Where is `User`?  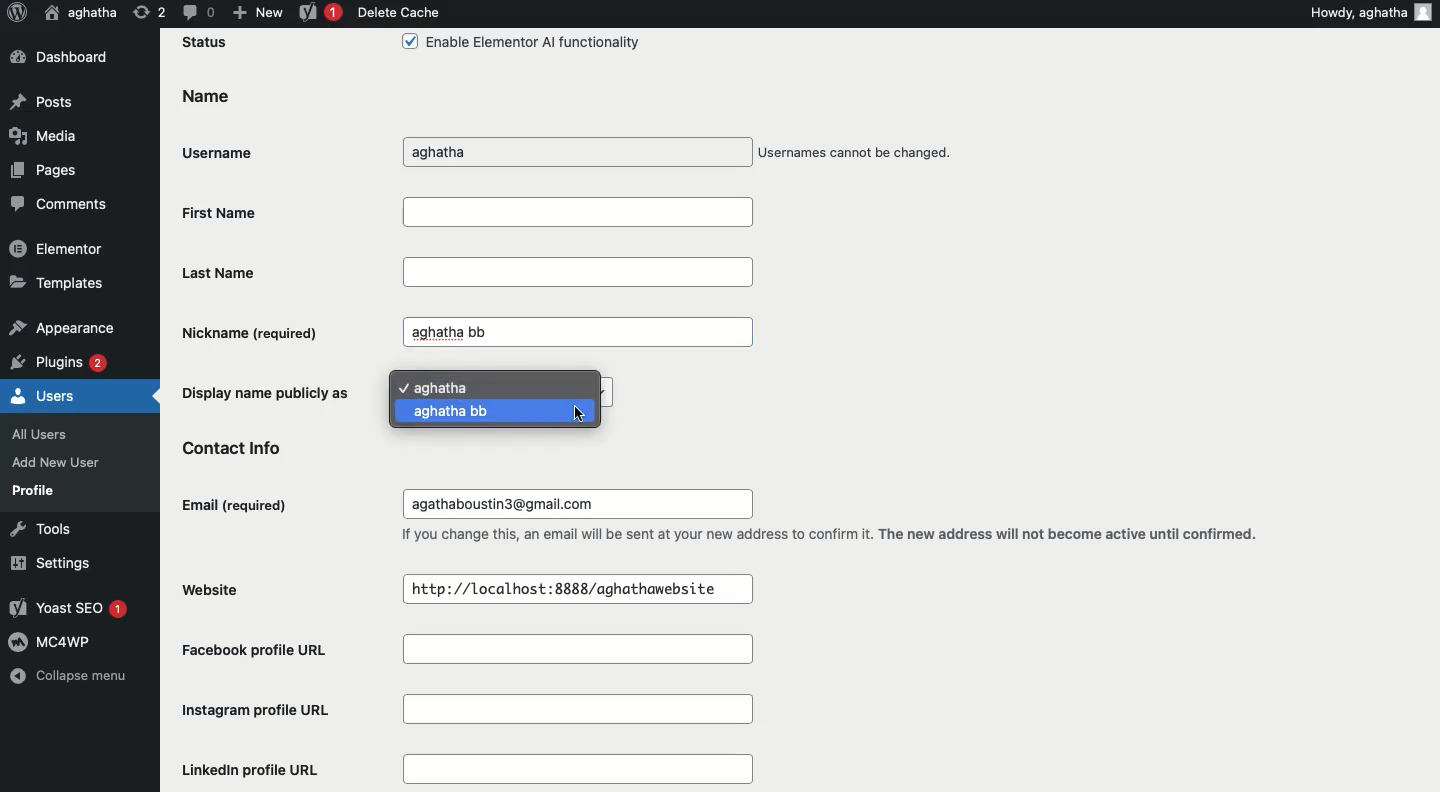 User is located at coordinates (82, 12).